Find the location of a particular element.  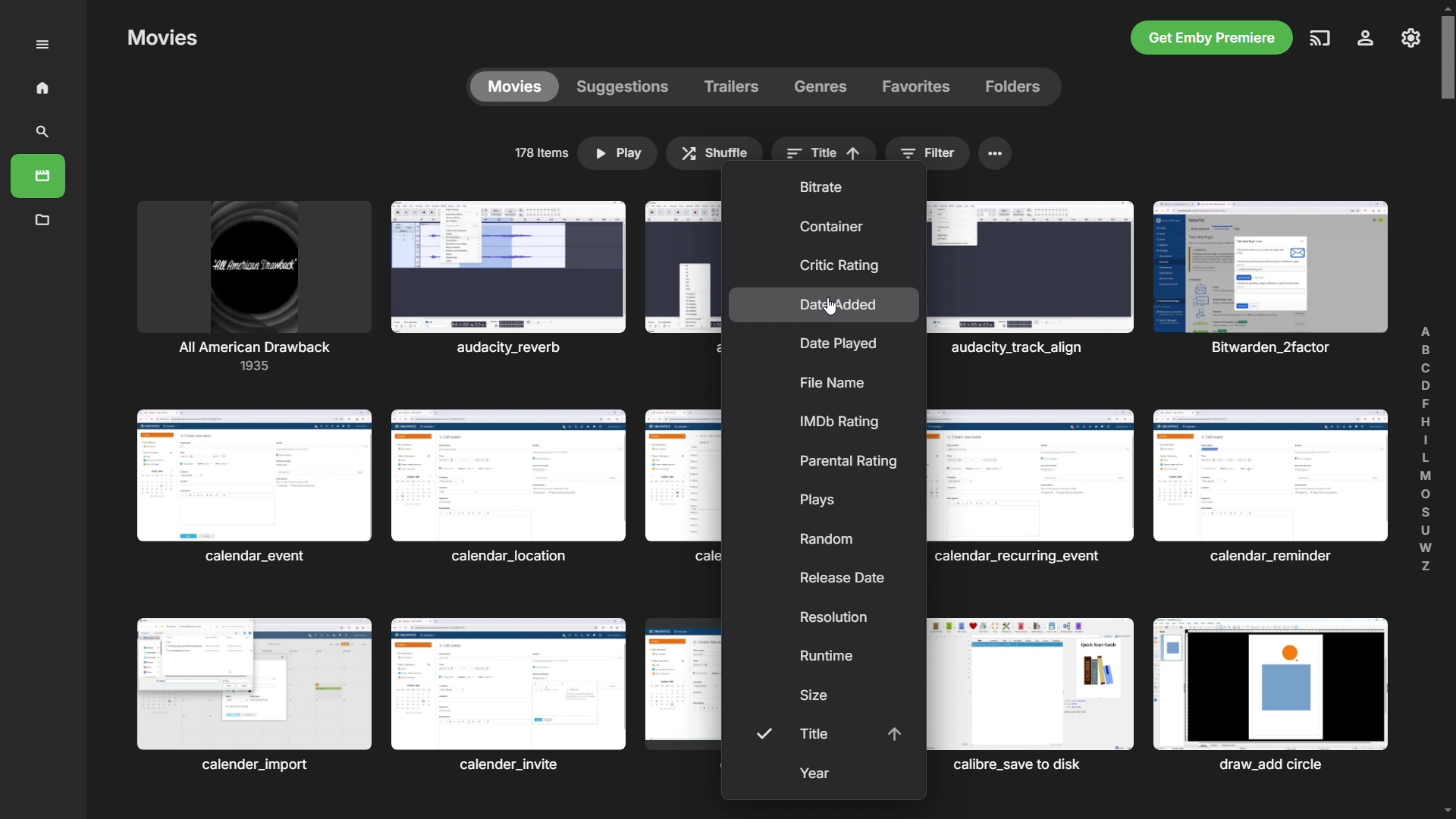

account is located at coordinates (1363, 39).